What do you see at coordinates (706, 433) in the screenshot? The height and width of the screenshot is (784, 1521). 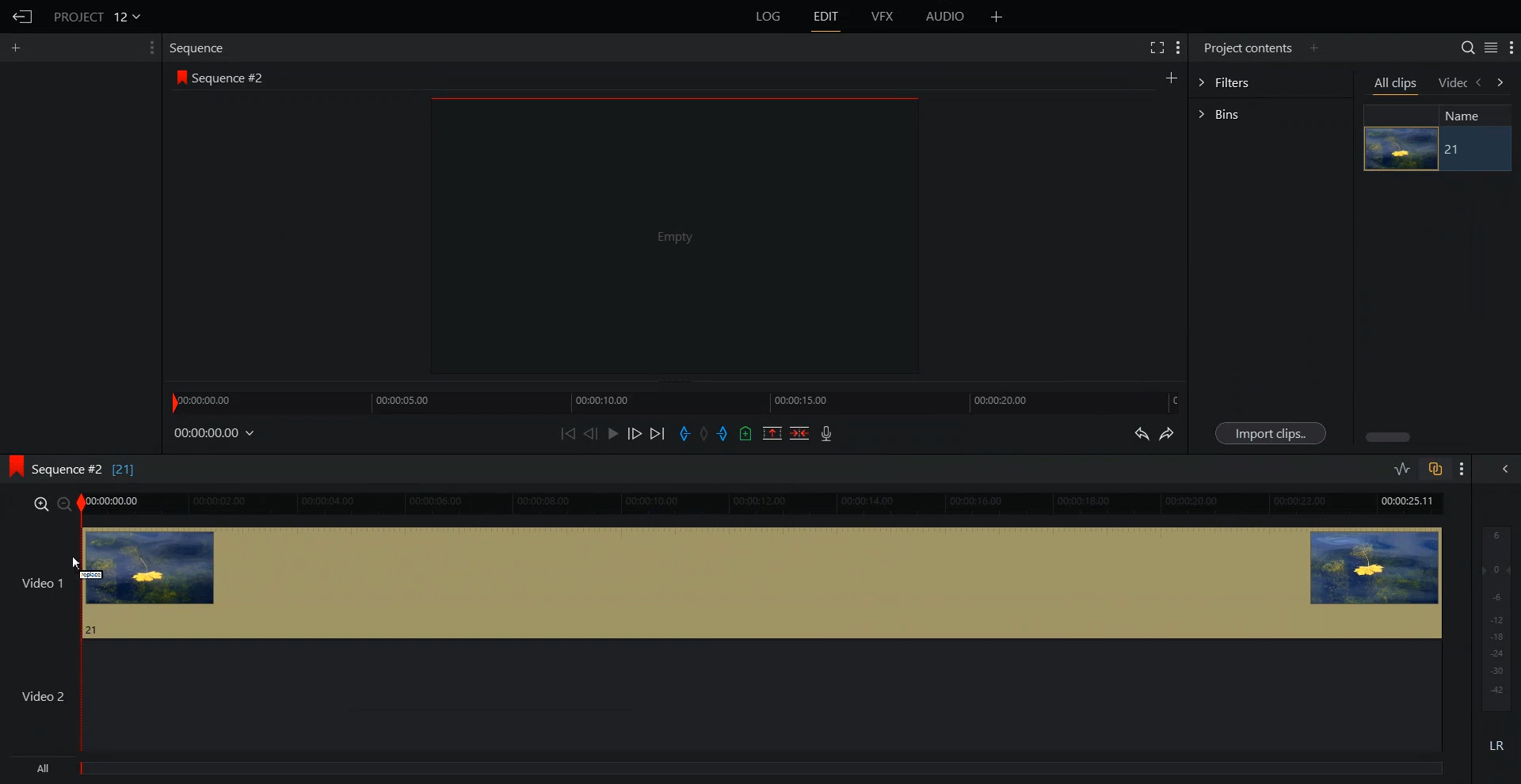 I see `Remove all mark` at bounding box center [706, 433].